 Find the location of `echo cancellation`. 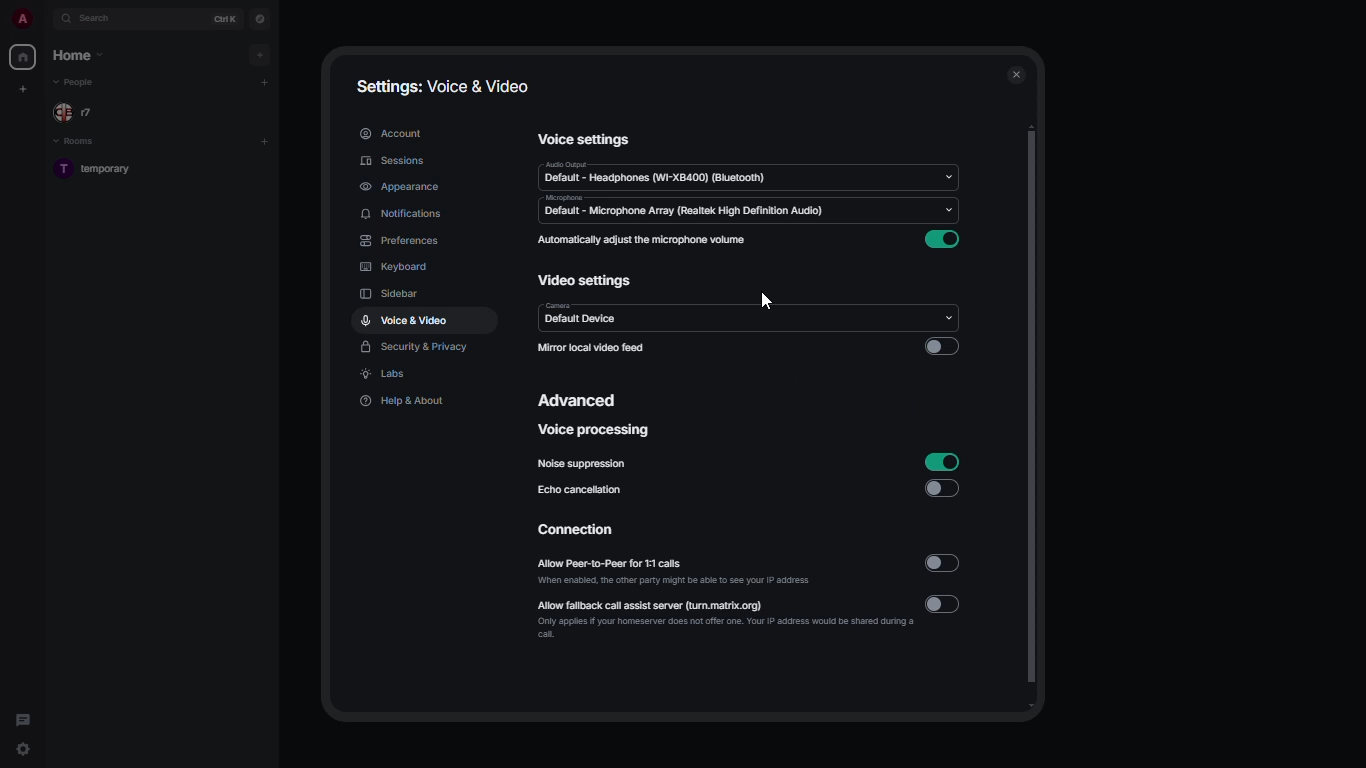

echo cancellation is located at coordinates (581, 489).